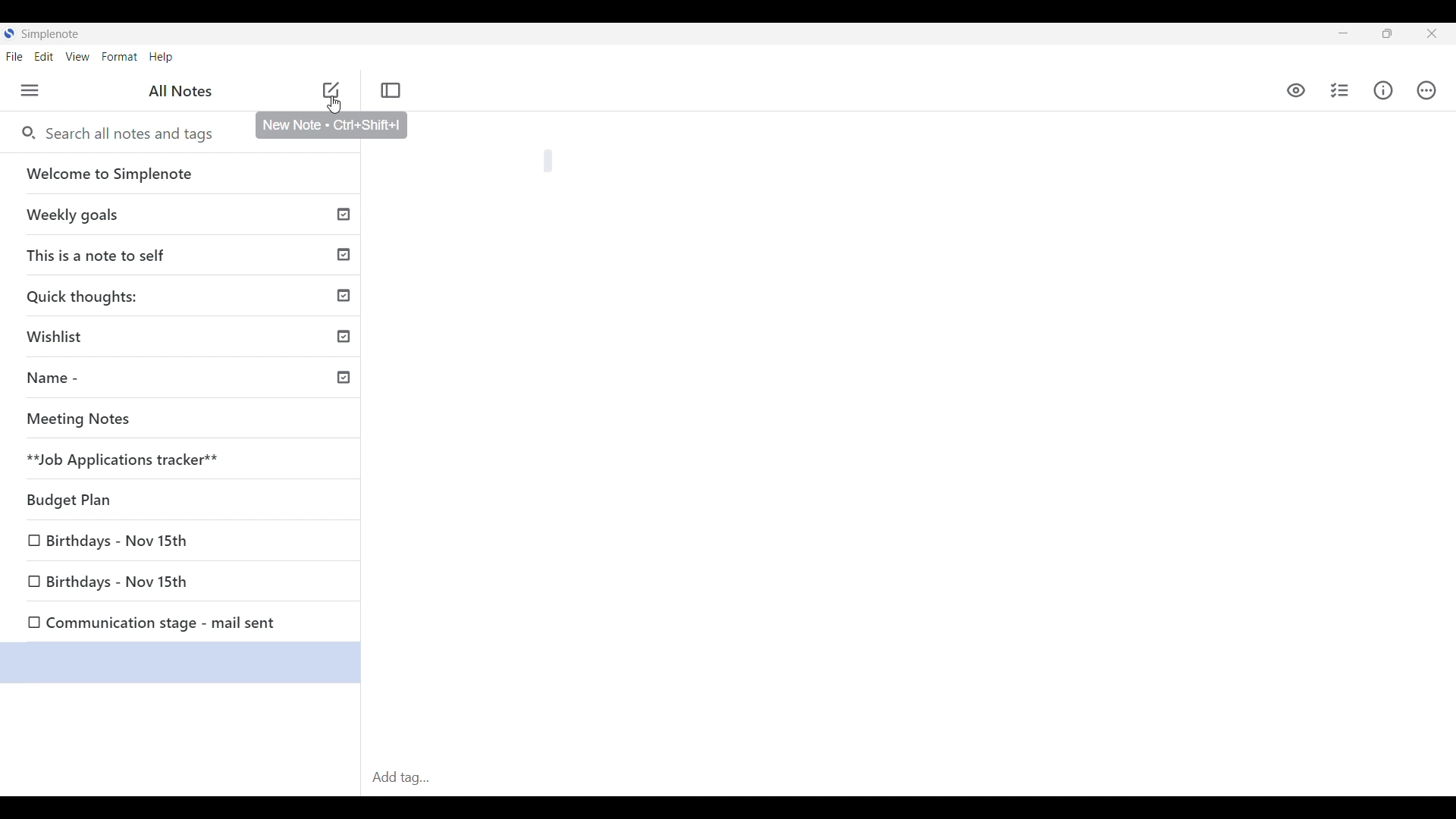  Describe the element at coordinates (14, 56) in the screenshot. I see `File` at that location.